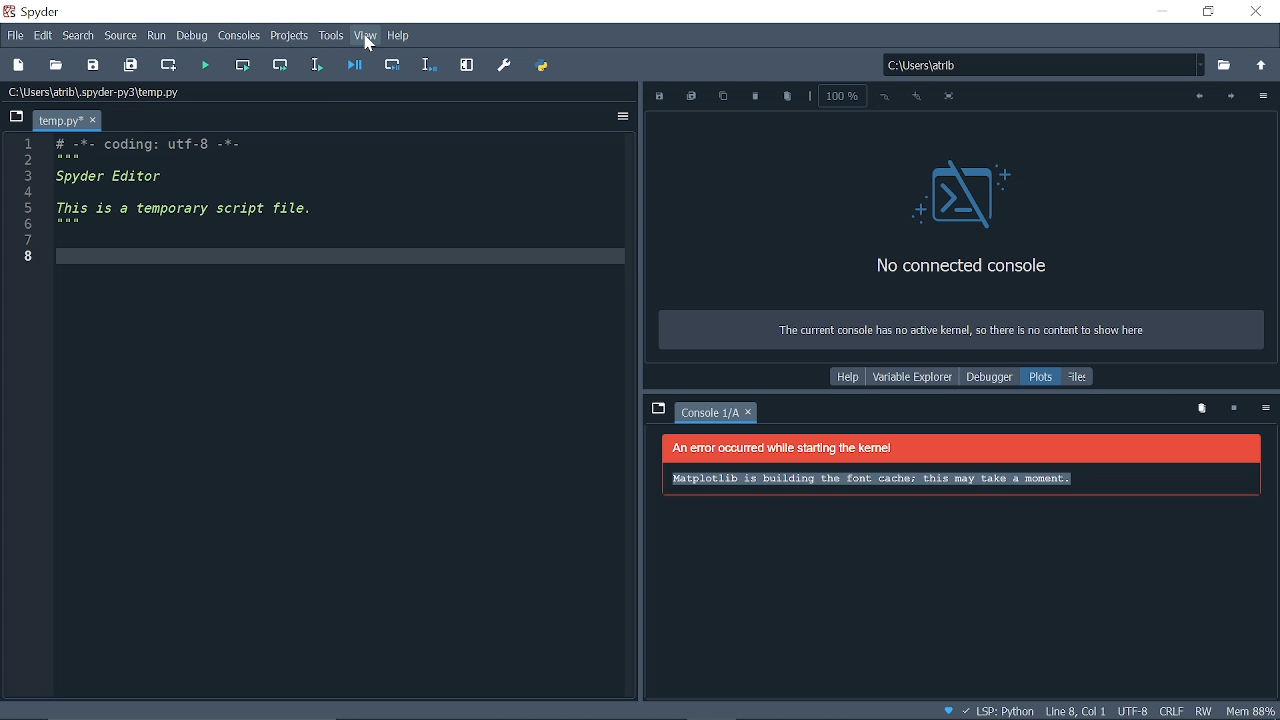 This screenshot has width=1280, height=720. What do you see at coordinates (1236, 409) in the screenshot?
I see `Input kernel` at bounding box center [1236, 409].